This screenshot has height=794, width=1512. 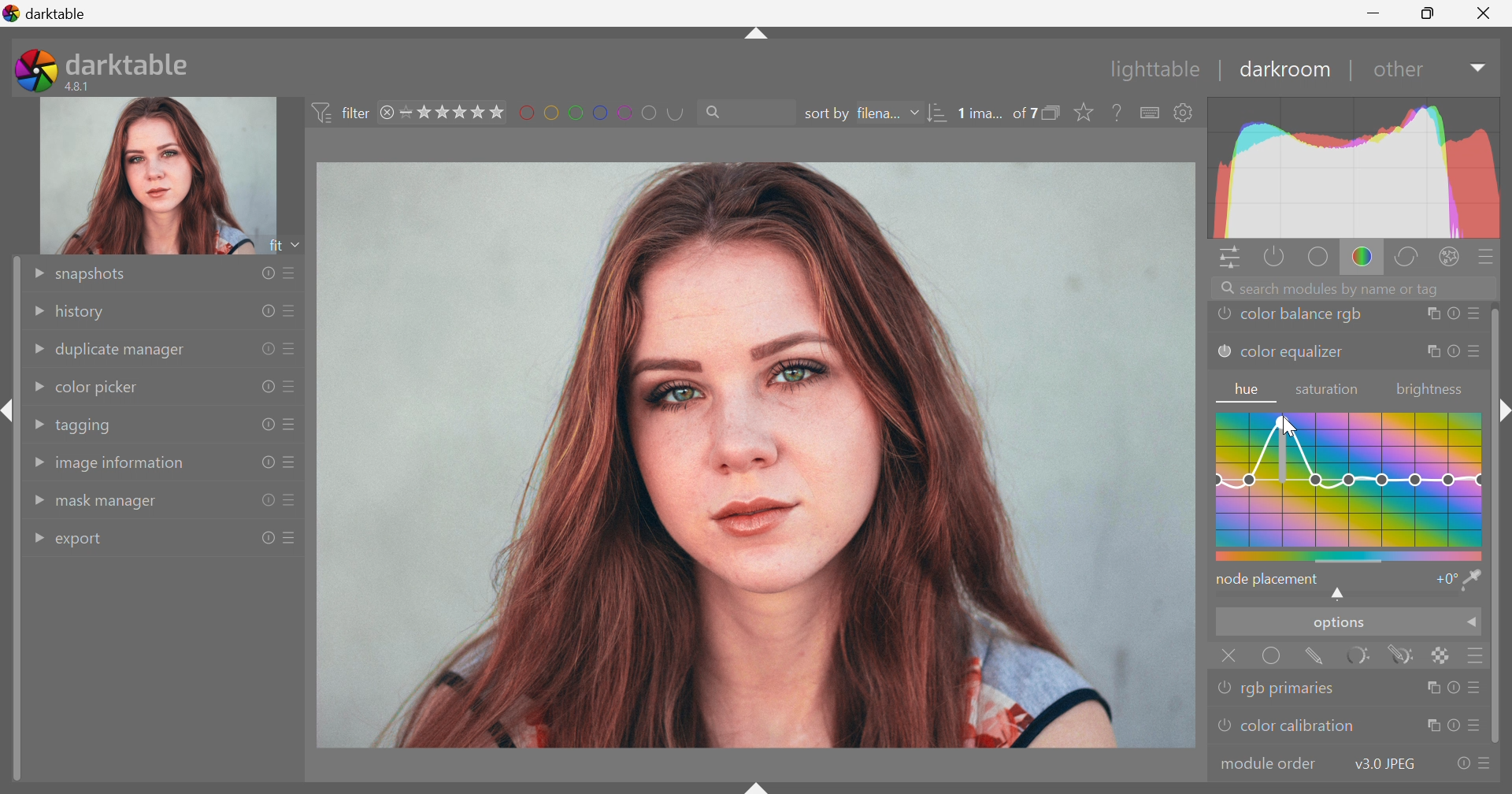 I want to click on reset, so click(x=265, y=463).